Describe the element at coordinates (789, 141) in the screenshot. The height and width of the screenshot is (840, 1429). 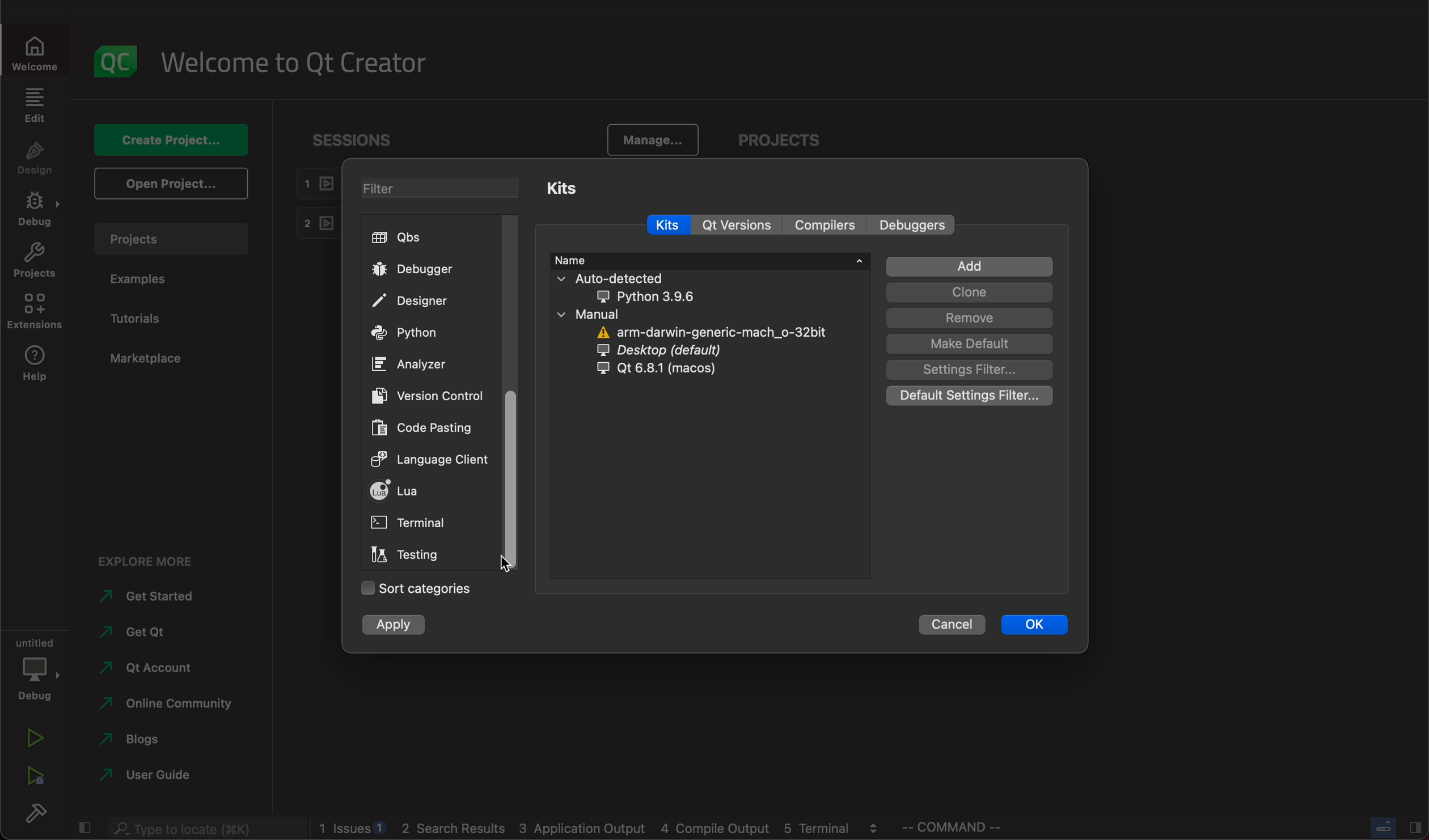
I see `projects` at that location.